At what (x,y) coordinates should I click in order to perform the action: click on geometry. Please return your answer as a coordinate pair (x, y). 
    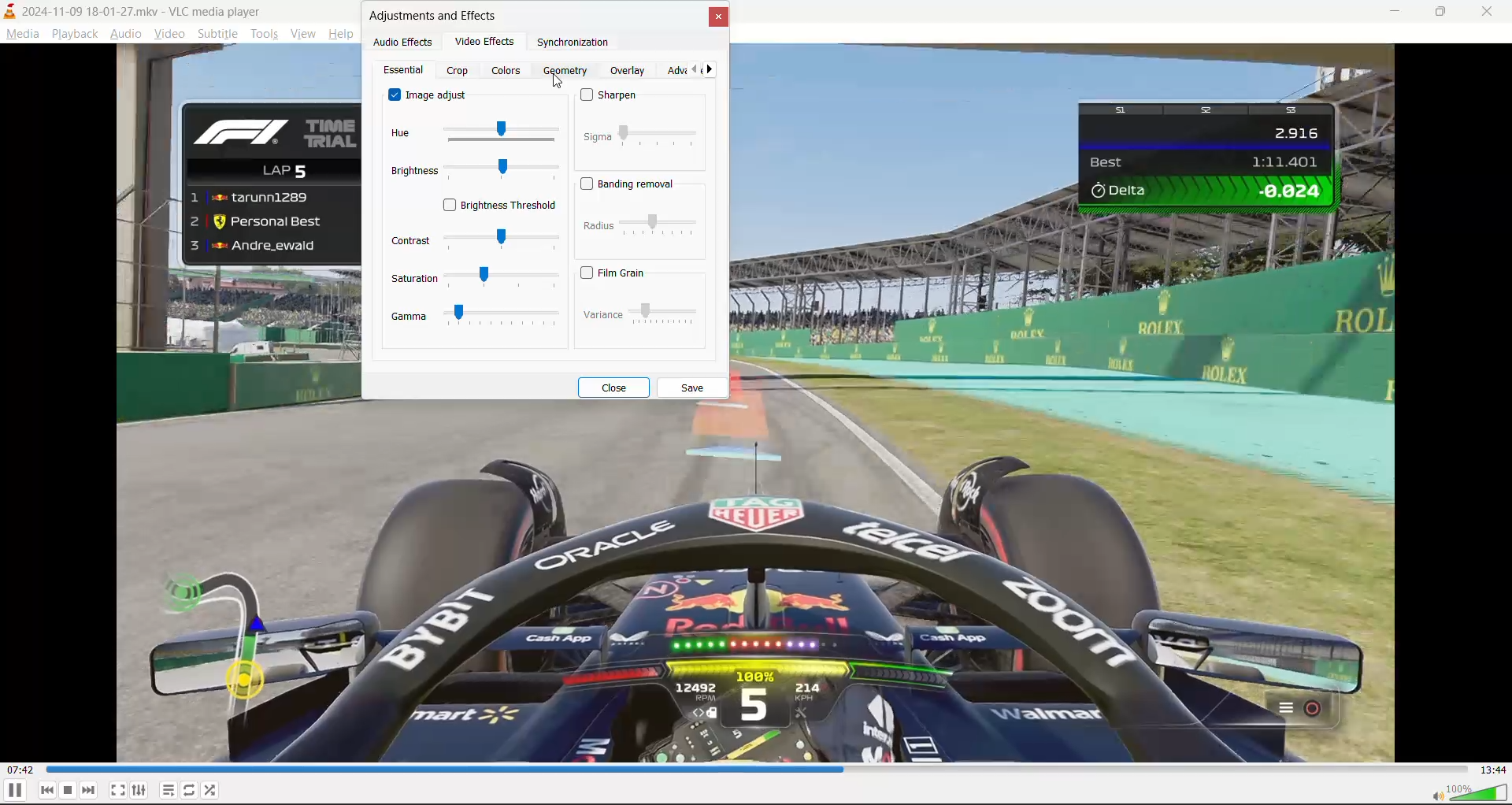
    Looking at the image, I should click on (569, 71).